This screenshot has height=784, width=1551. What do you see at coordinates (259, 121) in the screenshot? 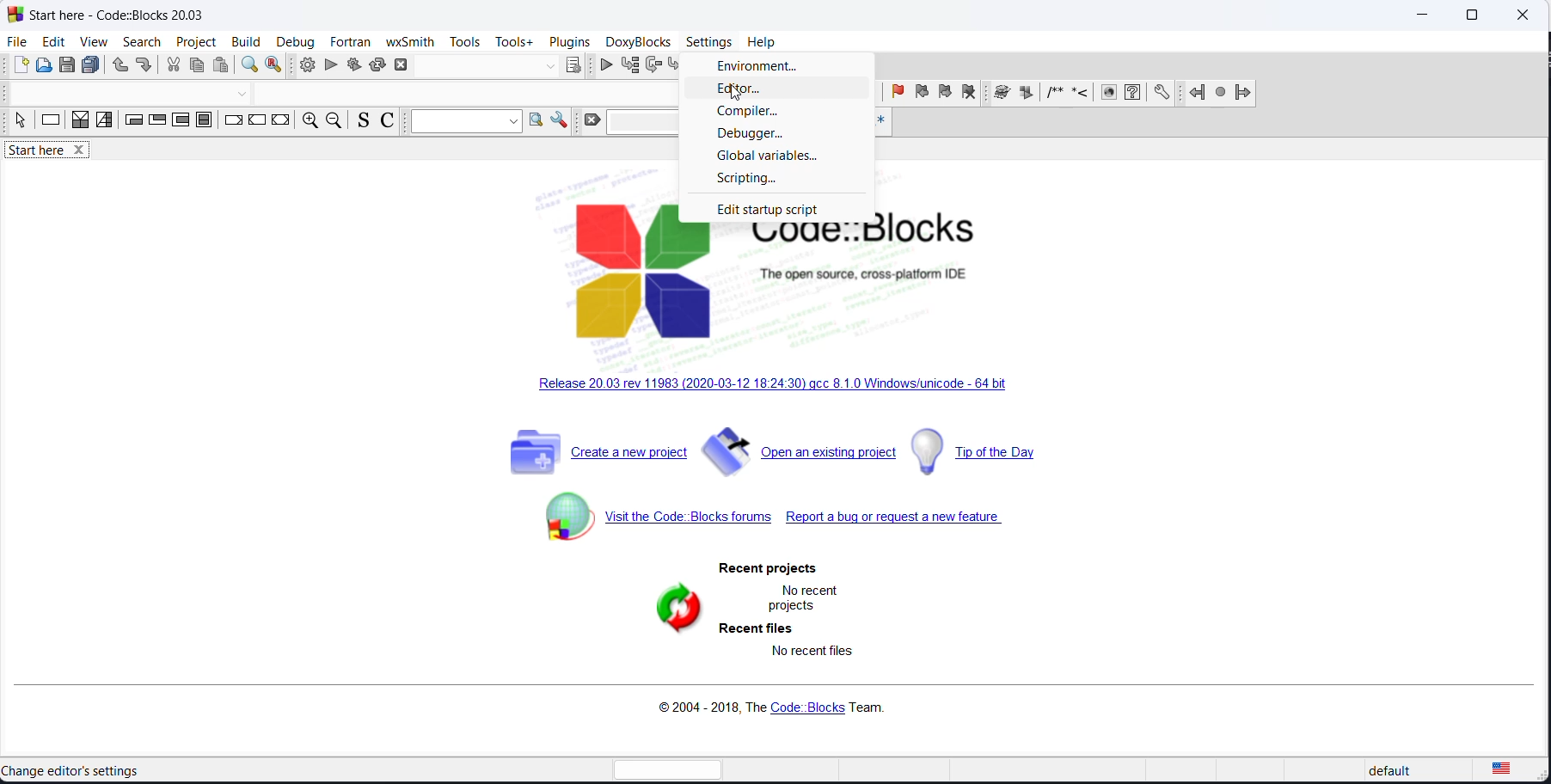
I see `continue instruction` at bounding box center [259, 121].